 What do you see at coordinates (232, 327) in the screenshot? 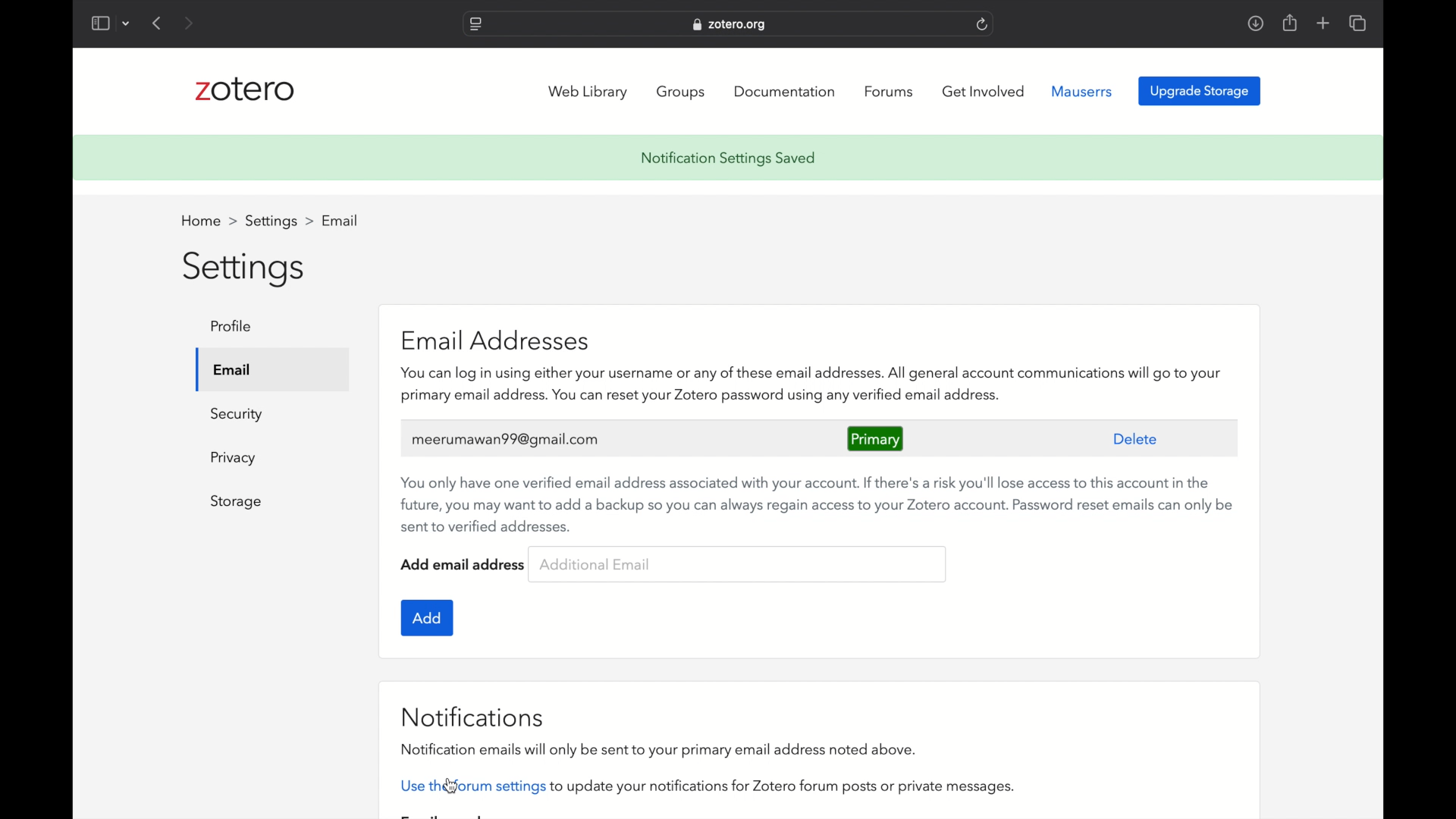
I see `profile` at bounding box center [232, 327].